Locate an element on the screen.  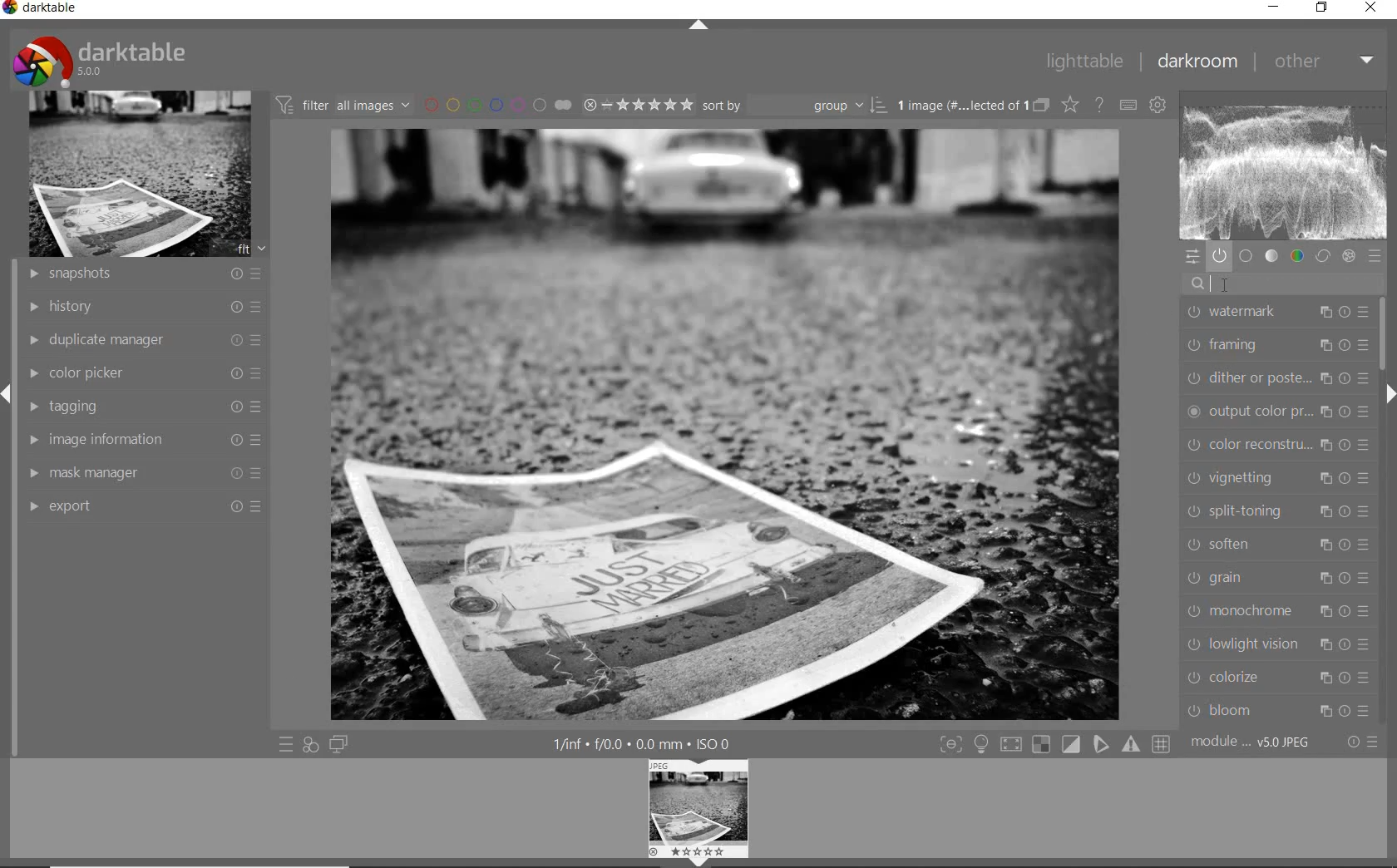
color picker is located at coordinates (146, 373).